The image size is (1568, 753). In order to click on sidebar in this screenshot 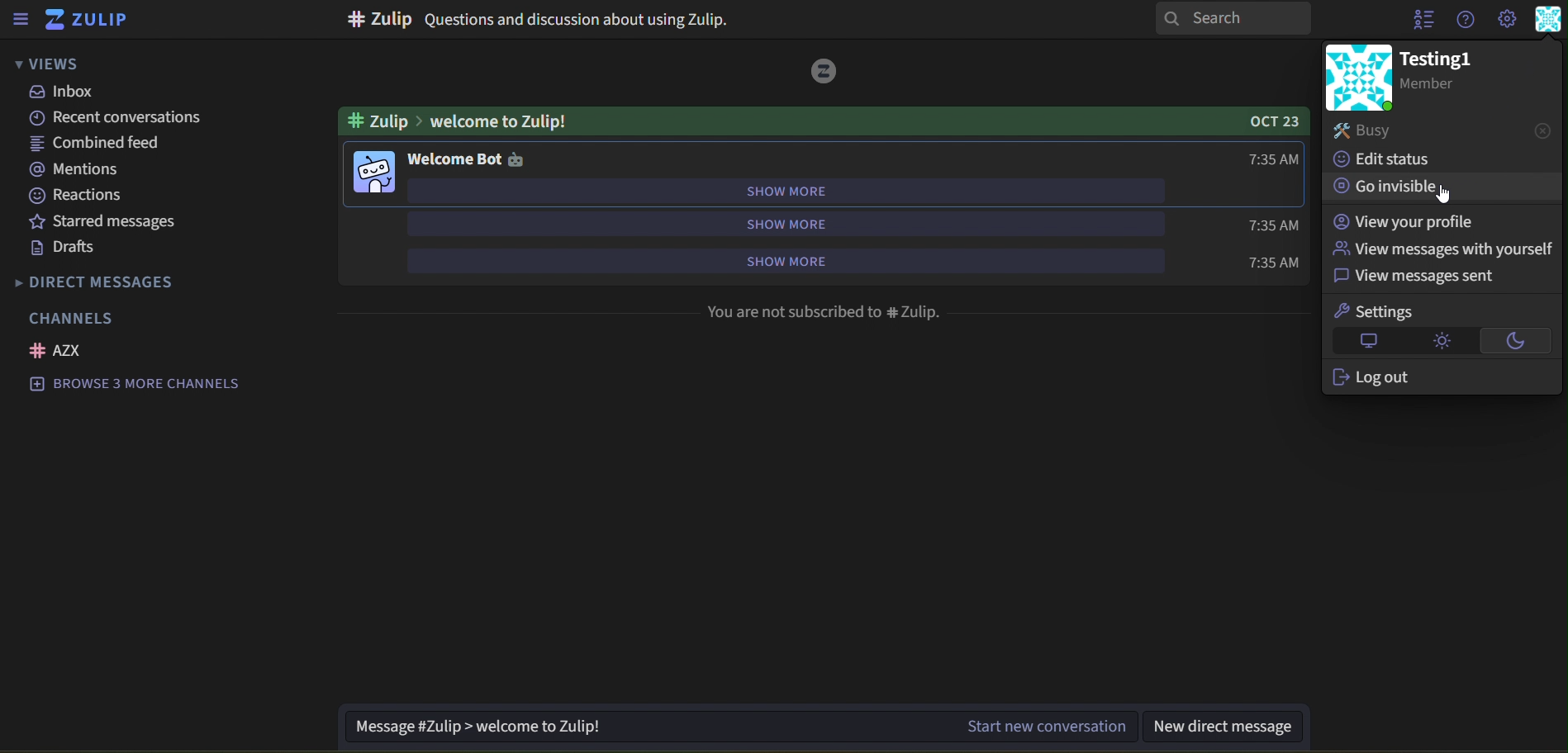, I will do `click(23, 19)`.